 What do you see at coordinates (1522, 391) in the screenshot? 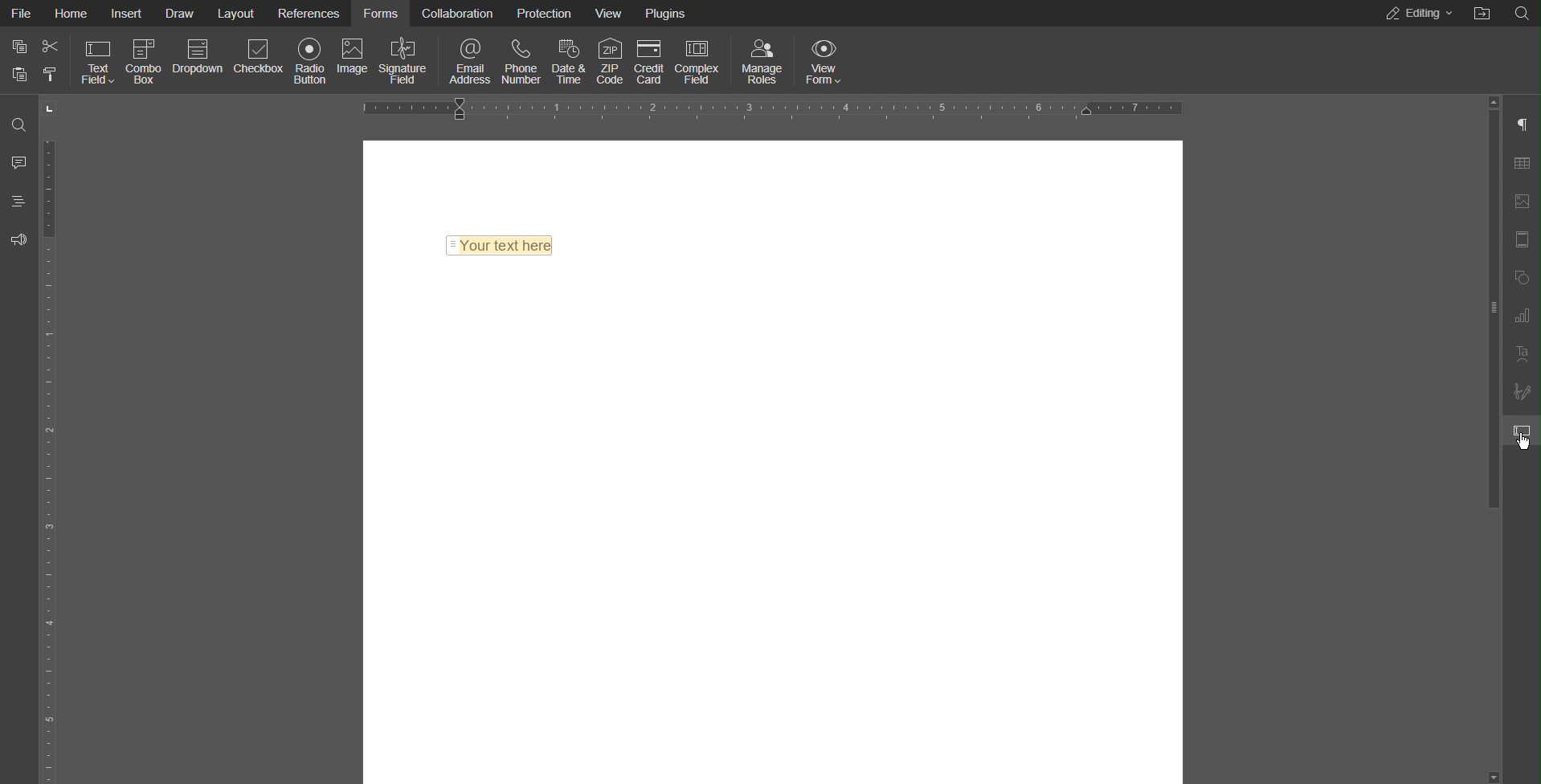
I see `Signature` at bounding box center [1522, 391].